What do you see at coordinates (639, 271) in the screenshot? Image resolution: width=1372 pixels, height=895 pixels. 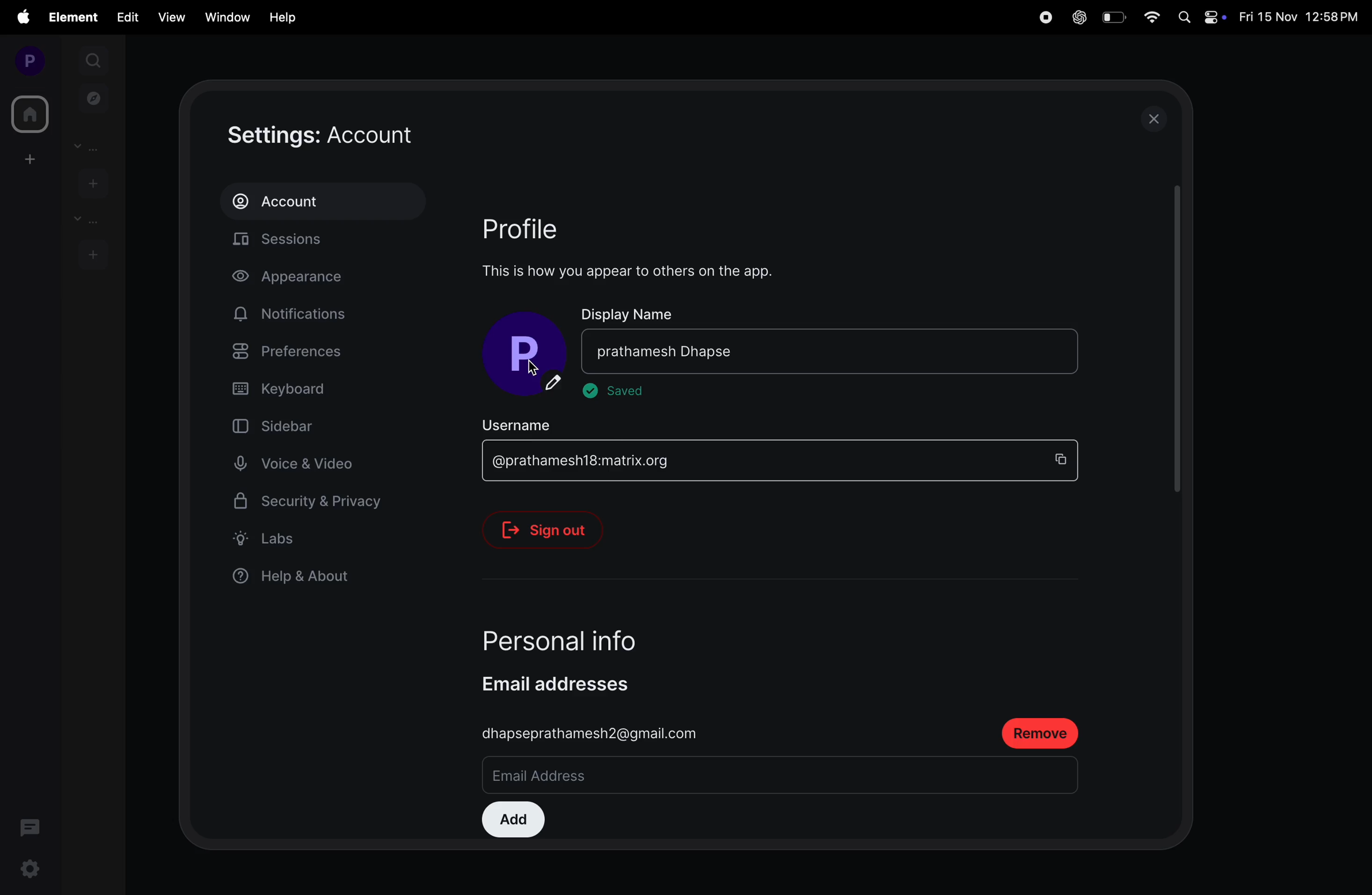 I see `this is how you appear on other app` at bounding box center [639, 271].